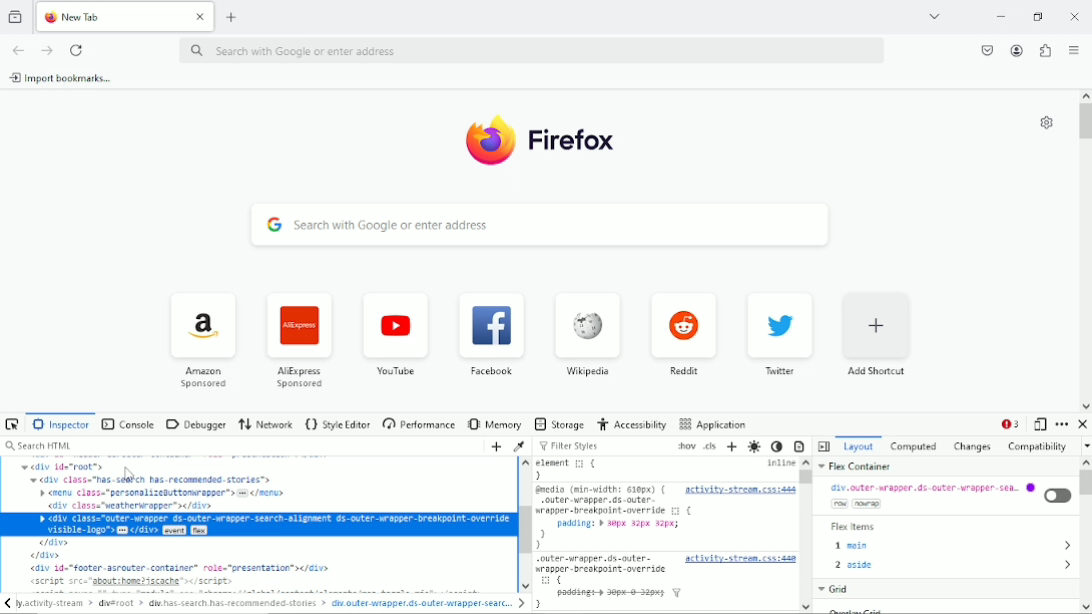 The width and height of the screenshot is (1092, 614). What do you see at coordinates (495, 424) in the screenshot?
I see `Memory` at bounding box center [495, 424].